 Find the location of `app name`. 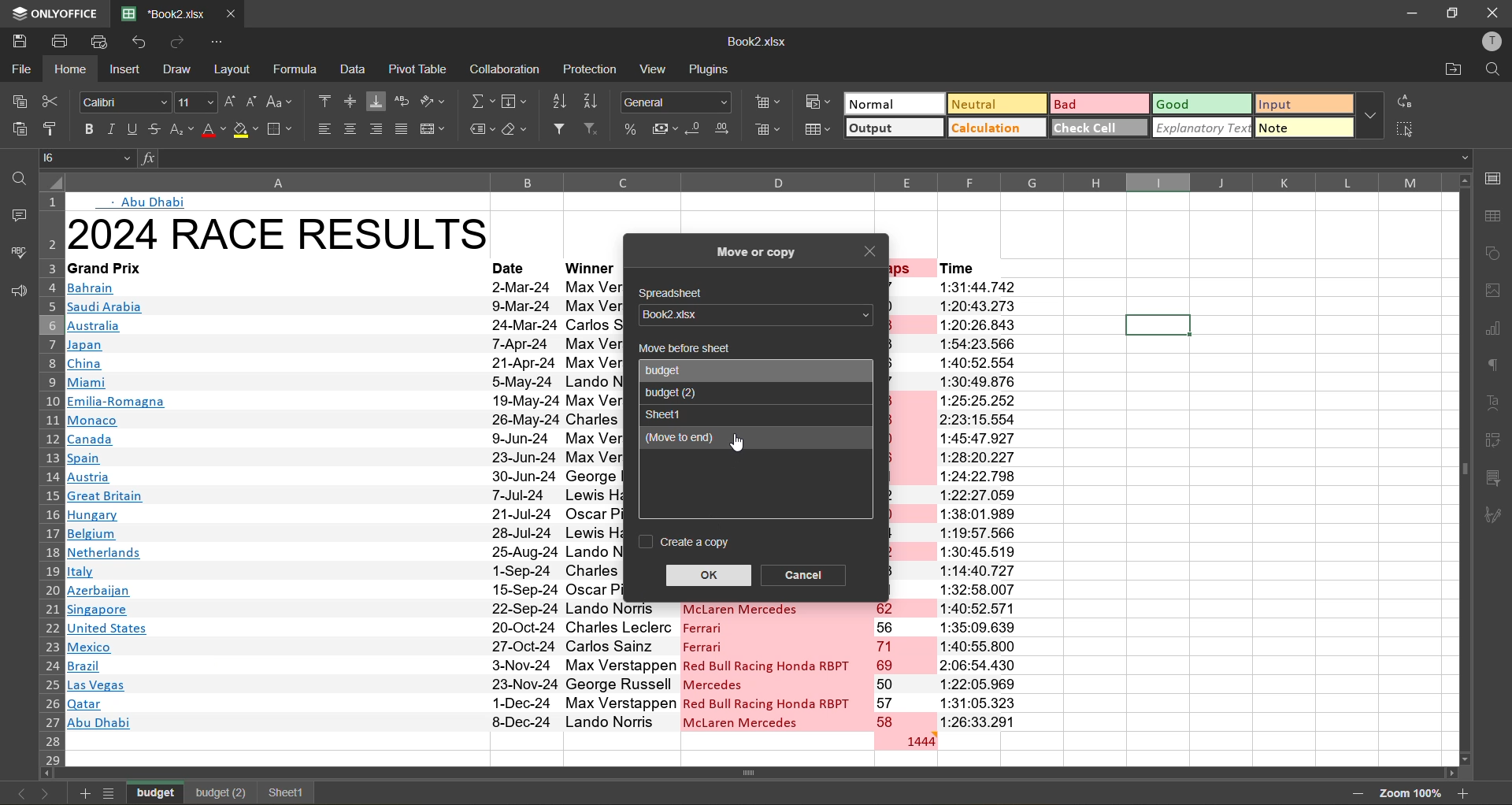

app name is located at coordinates (53, 11).